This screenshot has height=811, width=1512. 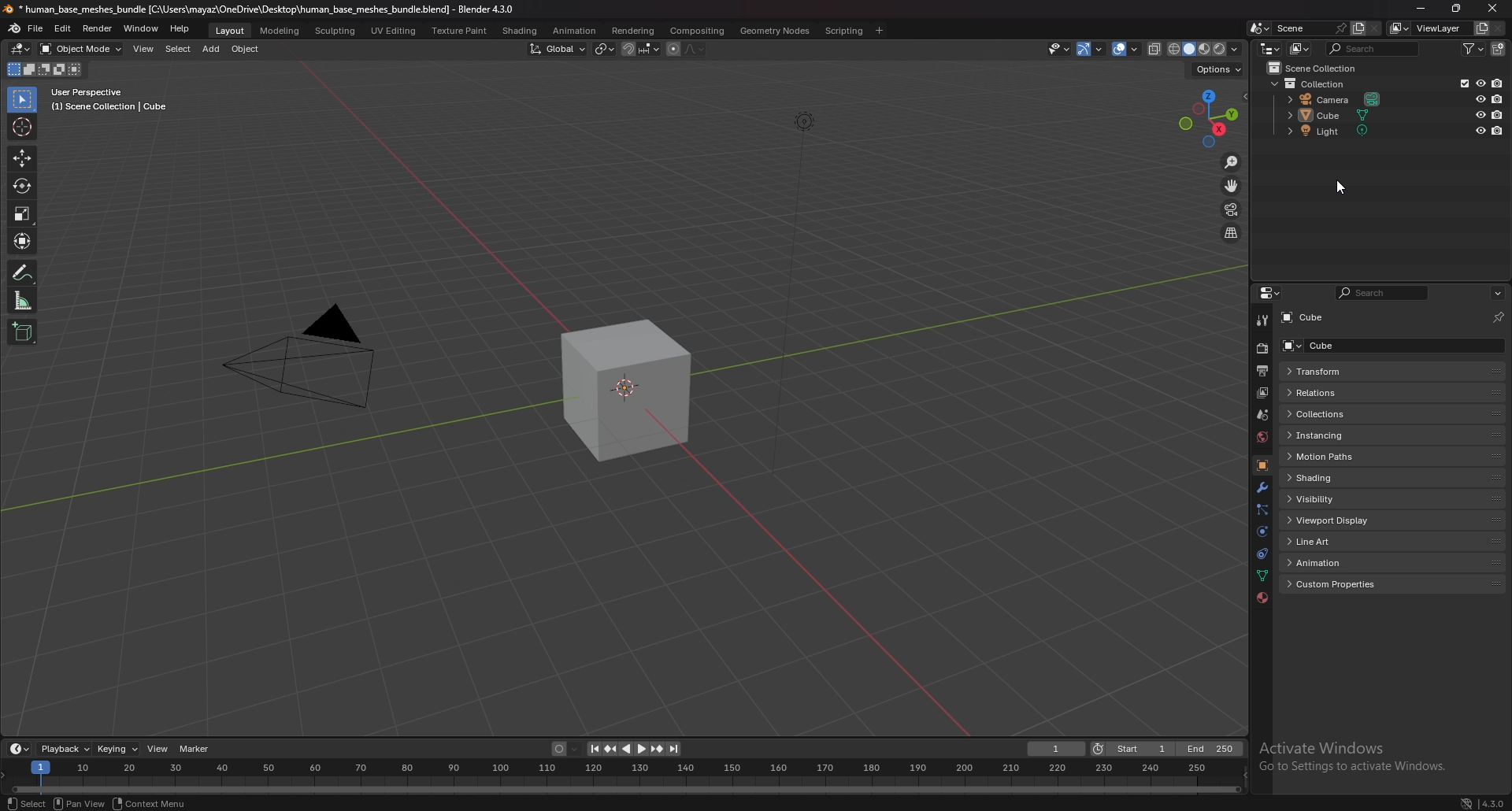 What do you see at coordinates (1340, 27) in the screenshot?
I see `pin scene` at bounding box center [1340, 27].